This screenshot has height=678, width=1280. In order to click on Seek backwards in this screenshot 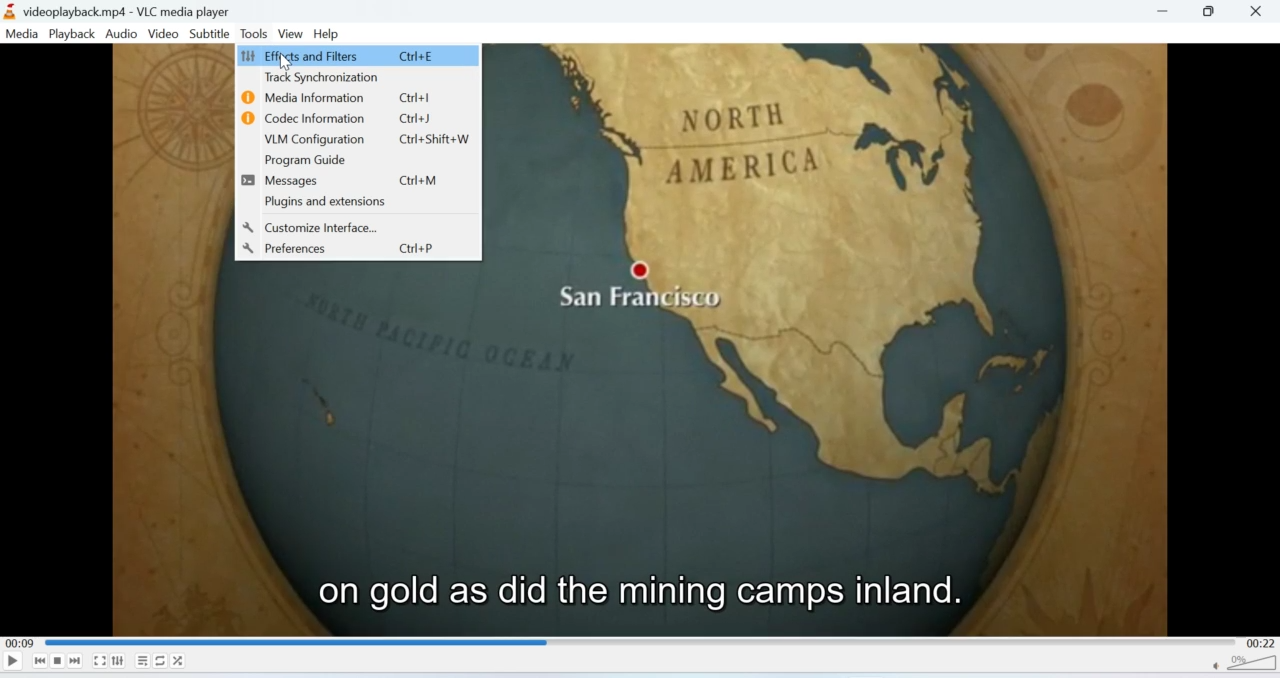, I will do `click(40, 661)`.